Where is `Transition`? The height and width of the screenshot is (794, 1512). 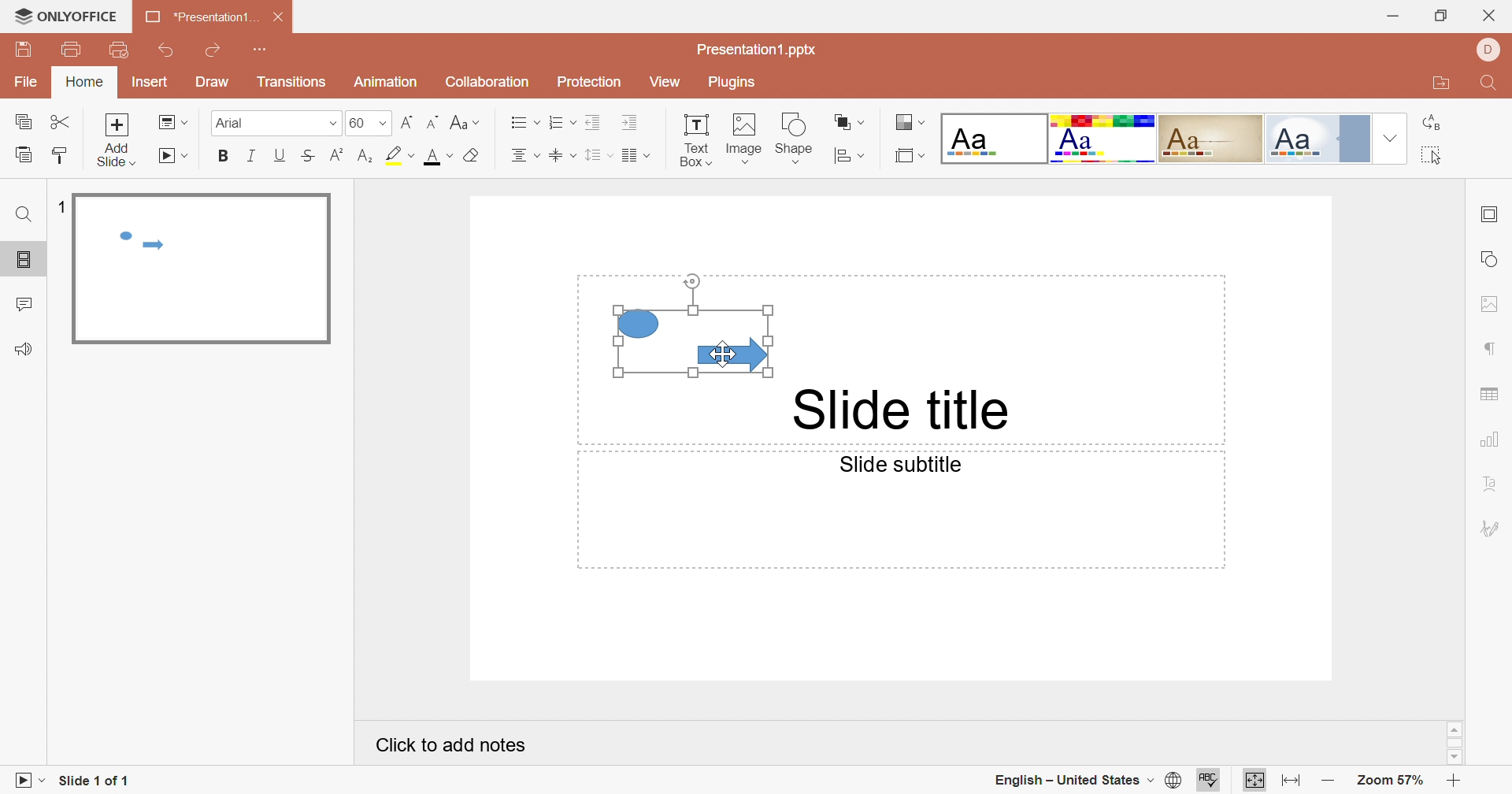 Transition is located at coordinates (290, 83).